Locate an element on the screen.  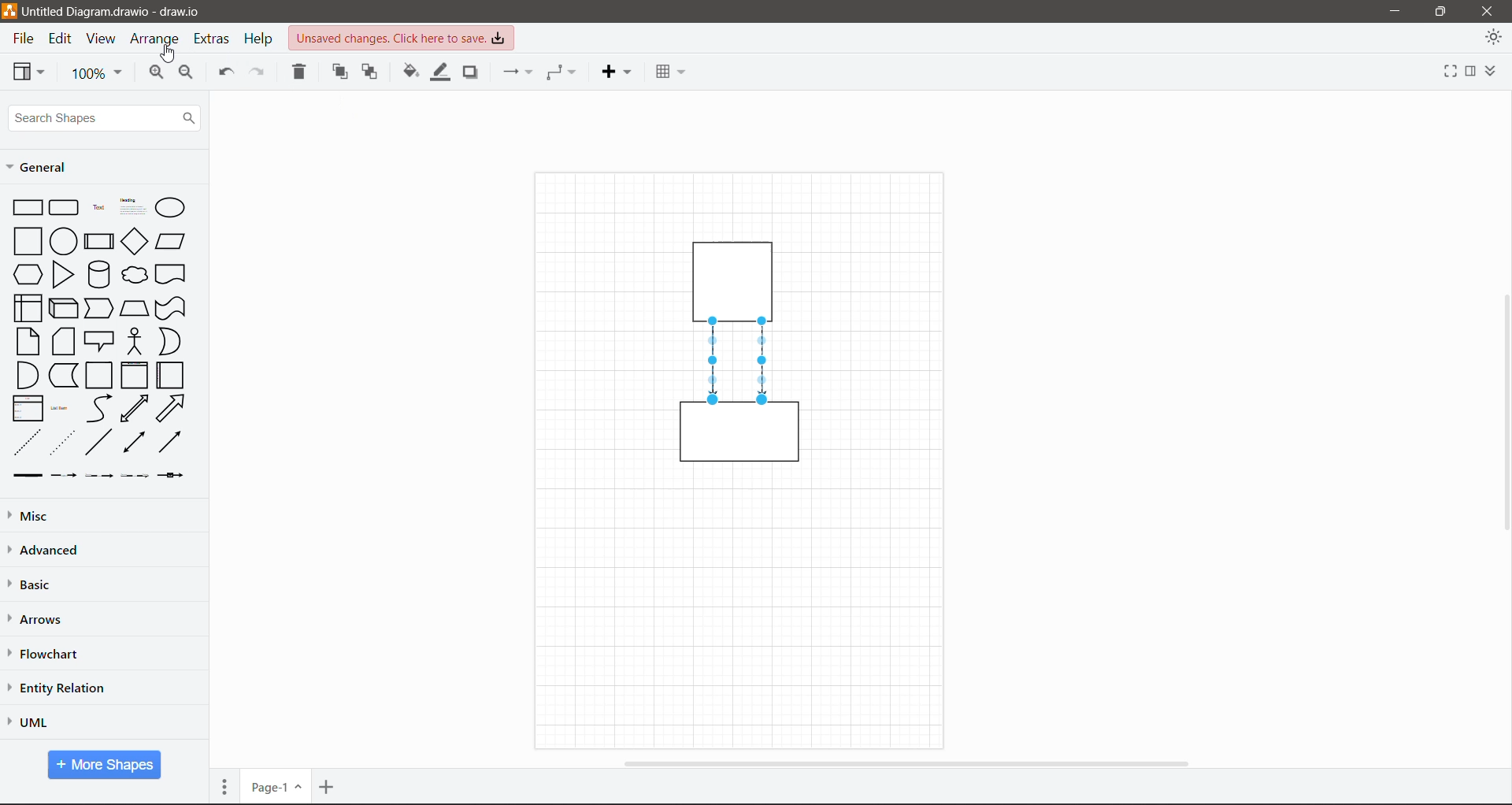
Circle is located at coordinates (63, 240).